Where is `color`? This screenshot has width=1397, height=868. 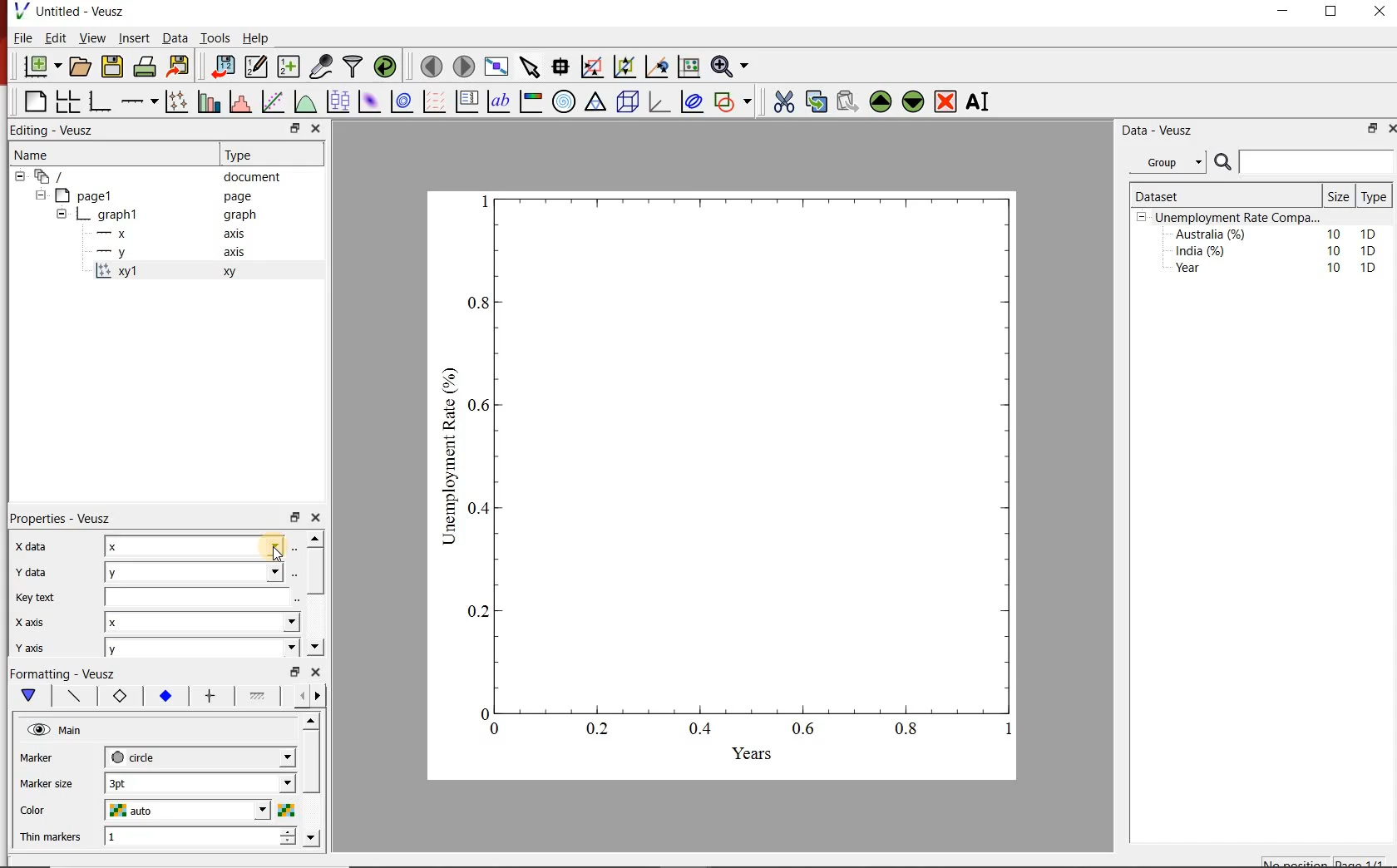
color is located at coordinates (46, 811).